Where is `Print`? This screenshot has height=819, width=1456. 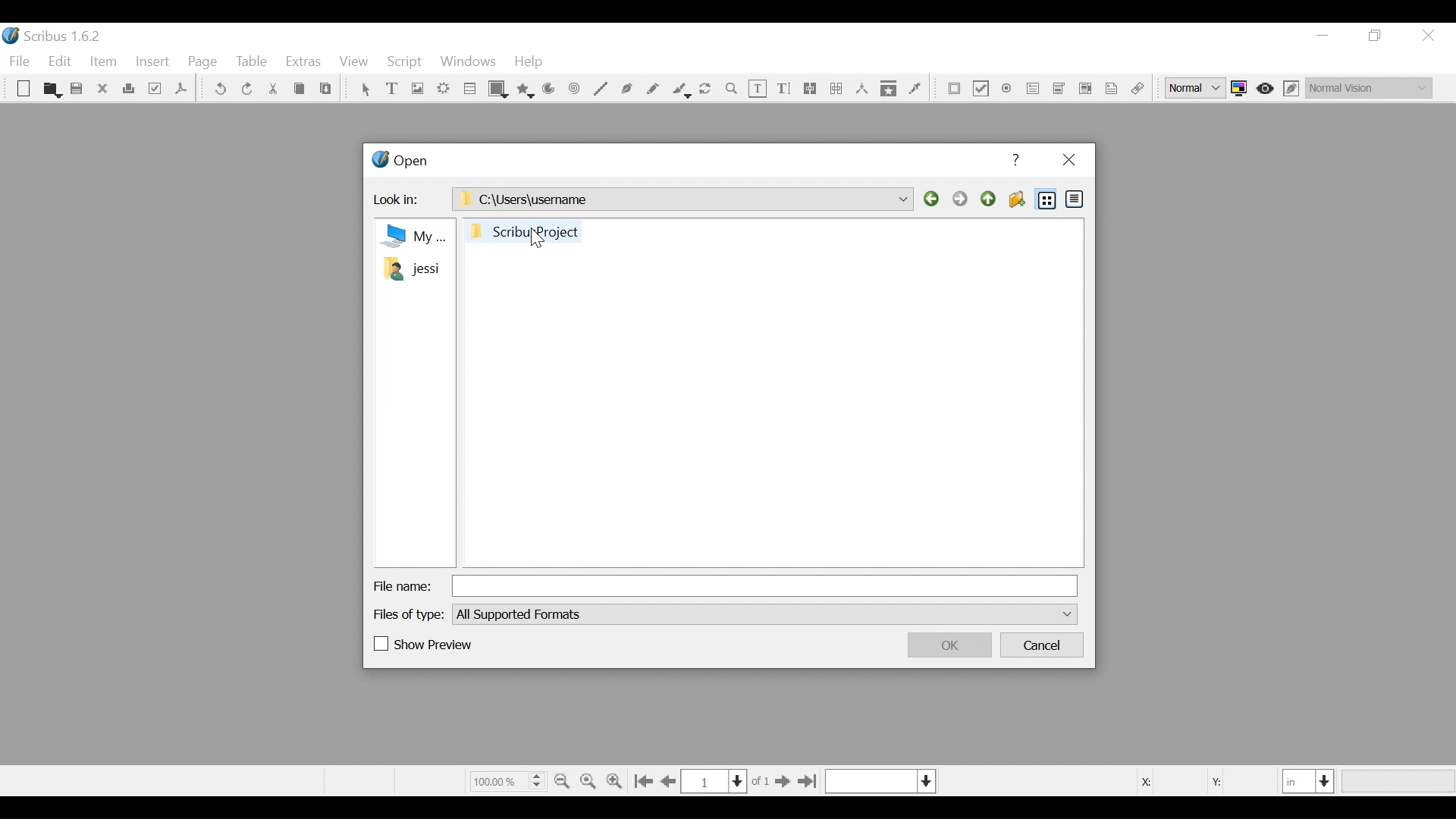
Print is located at coordinates (129, 89).